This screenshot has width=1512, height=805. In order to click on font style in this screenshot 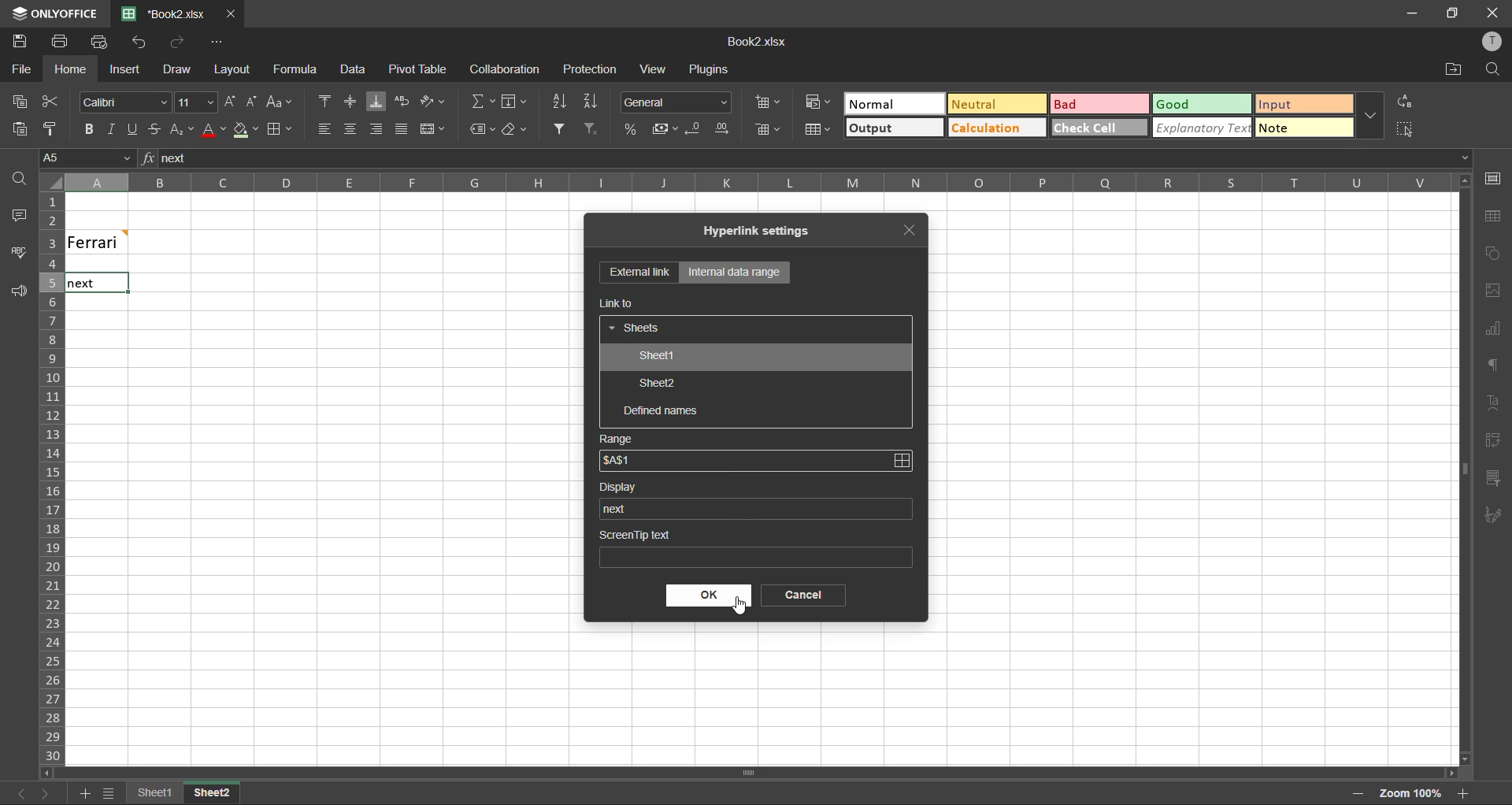, I will do `click(127, 103)`.